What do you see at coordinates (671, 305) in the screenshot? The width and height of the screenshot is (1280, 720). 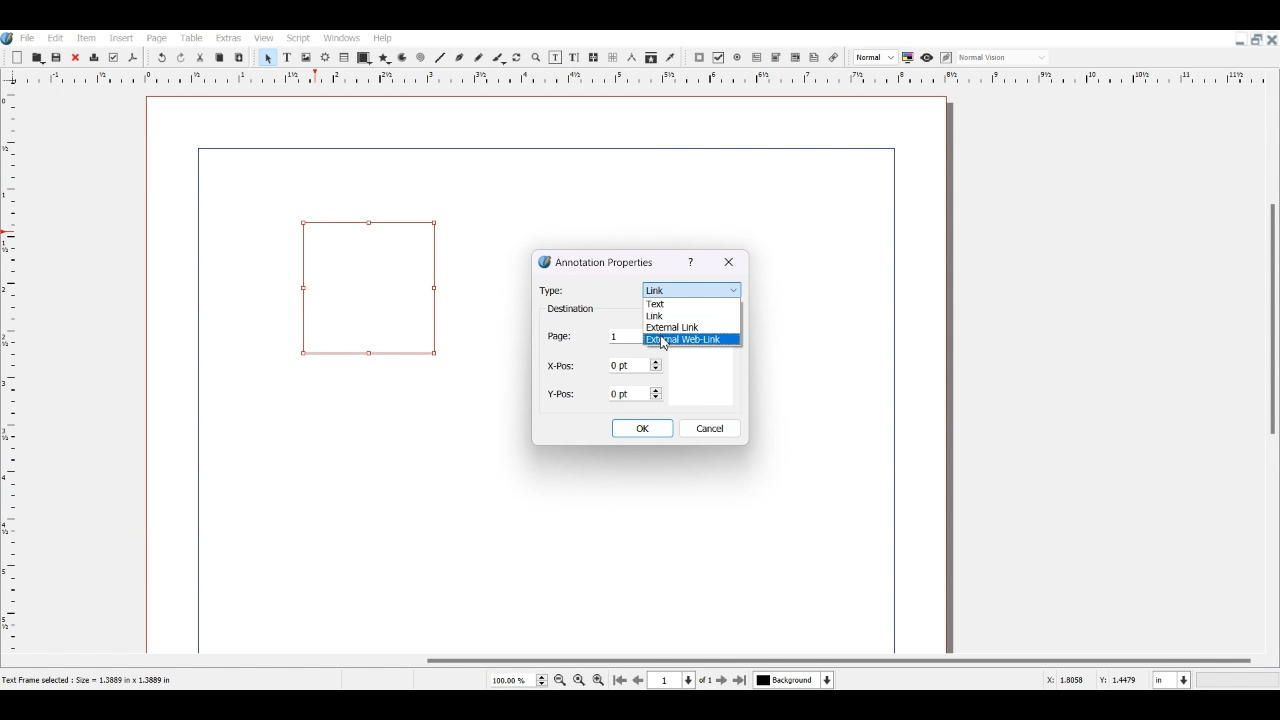 I see `Text` at bounding box center [671, 305].